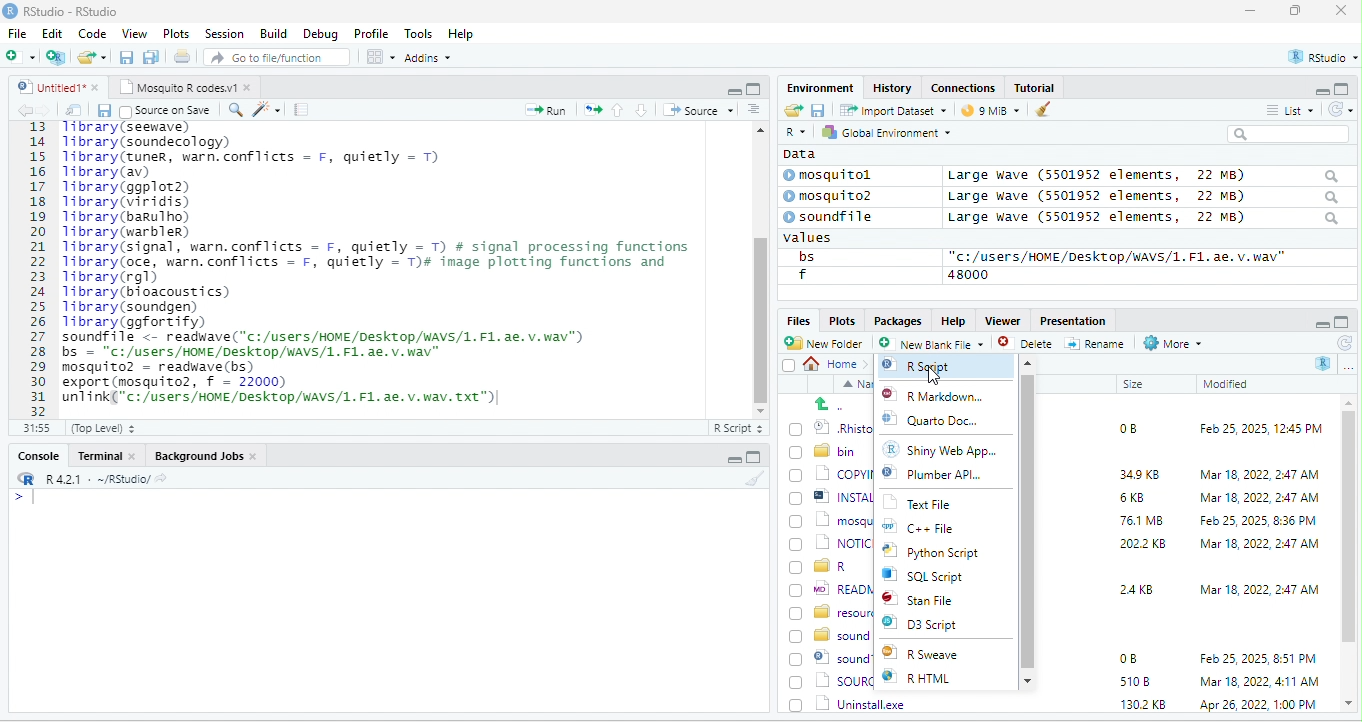 The height and width of the screenshot is (722, 1362). Describe the element at coordinates (153, 58) in the screenshot. I see `save as` at that location.